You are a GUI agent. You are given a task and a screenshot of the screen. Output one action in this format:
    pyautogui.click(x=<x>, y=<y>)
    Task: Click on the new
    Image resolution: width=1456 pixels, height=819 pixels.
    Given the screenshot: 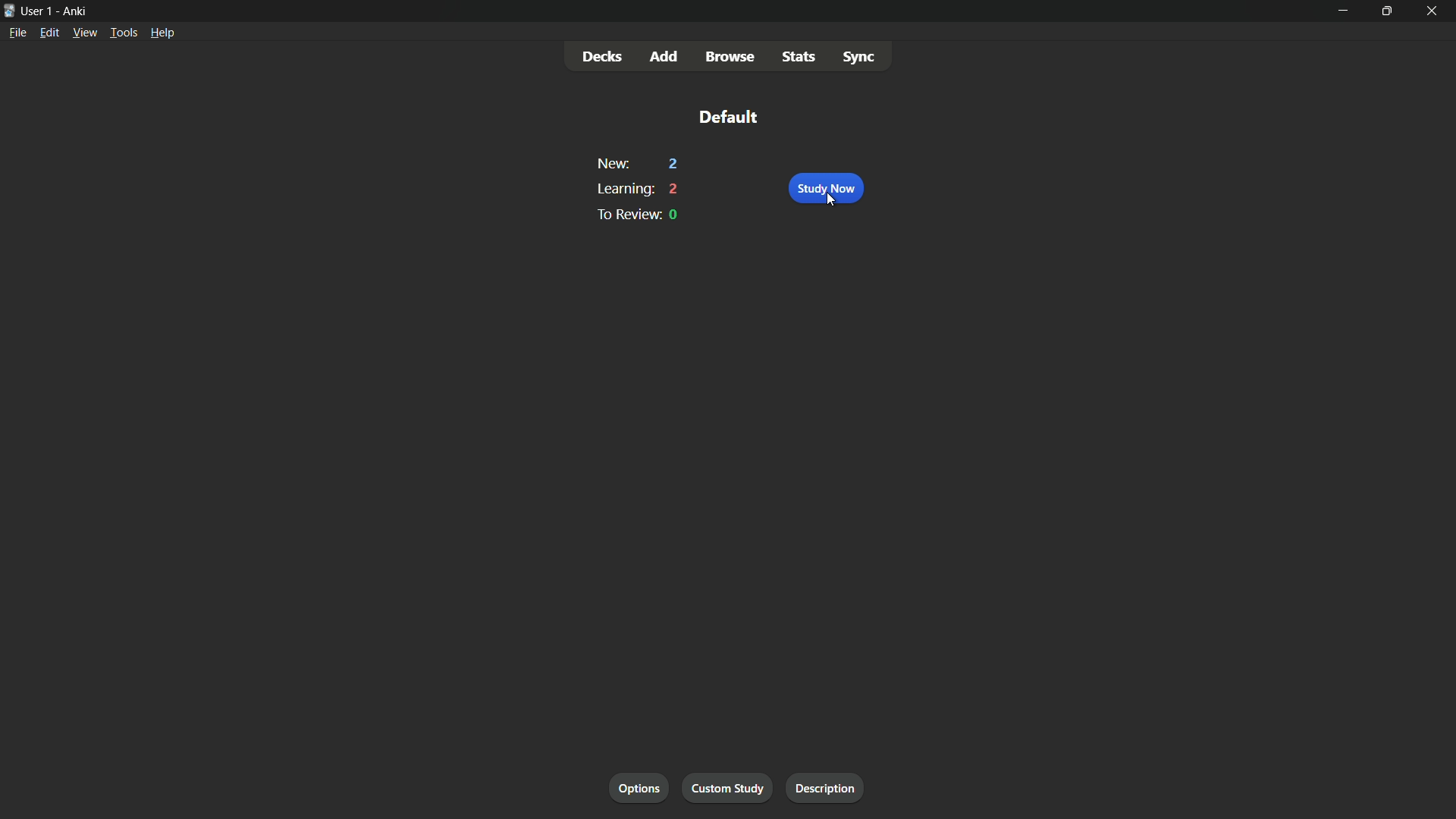 What is the action you would take?
    pyautogui.click(x=613, y=163)
    